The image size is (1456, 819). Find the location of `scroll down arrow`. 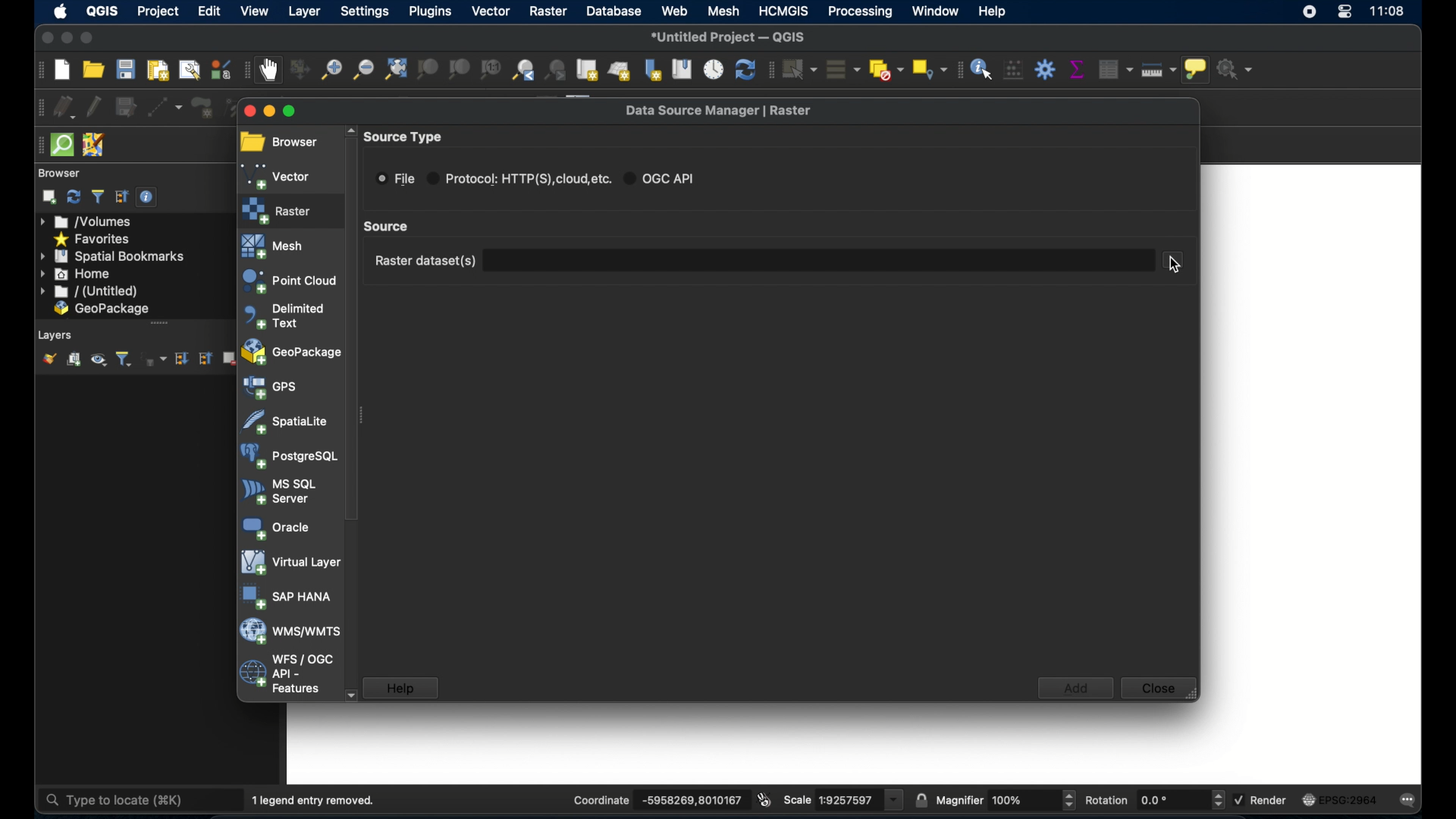

scroll down arrow is located at coordinates (350, 694).